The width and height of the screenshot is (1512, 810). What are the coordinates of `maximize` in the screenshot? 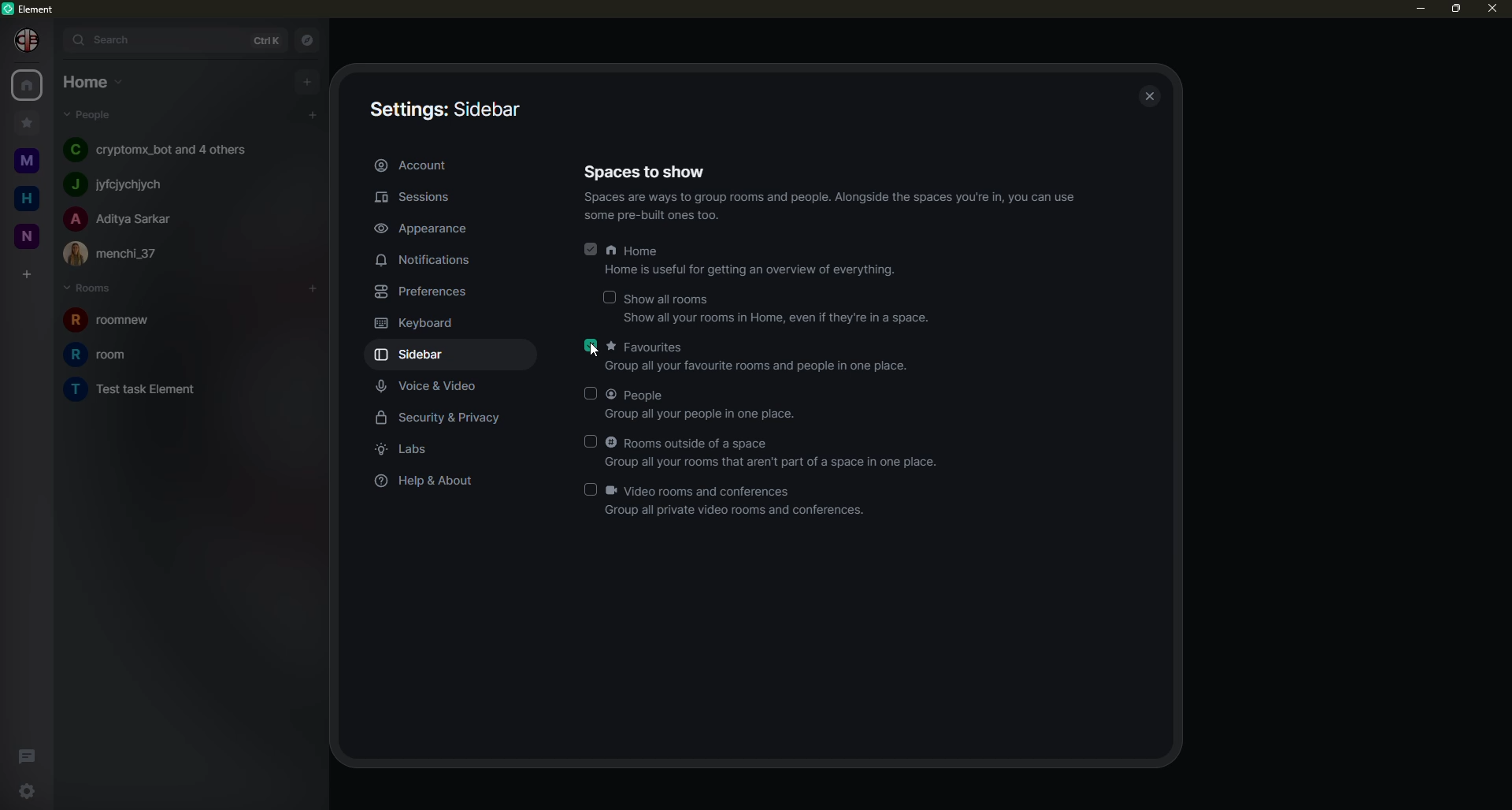 It's located at (1455, 9).